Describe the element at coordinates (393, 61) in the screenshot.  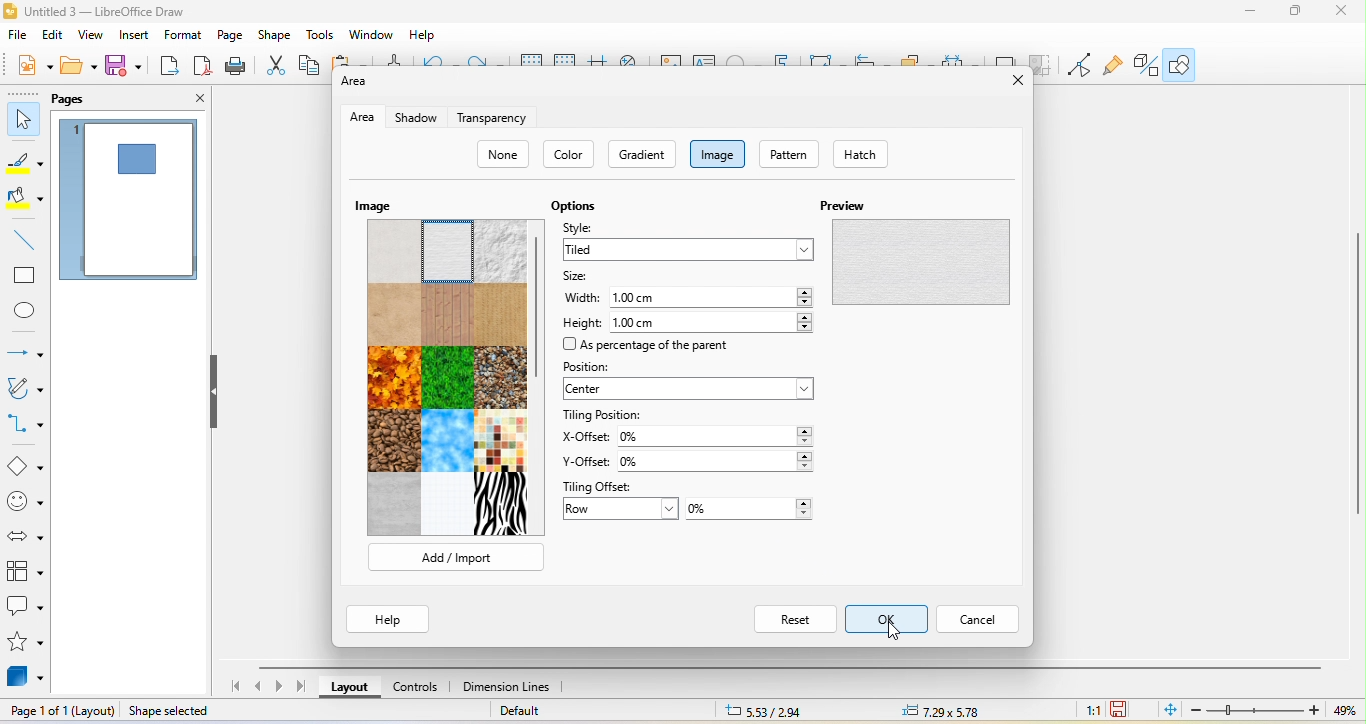
I see `clone formatting` at that location.